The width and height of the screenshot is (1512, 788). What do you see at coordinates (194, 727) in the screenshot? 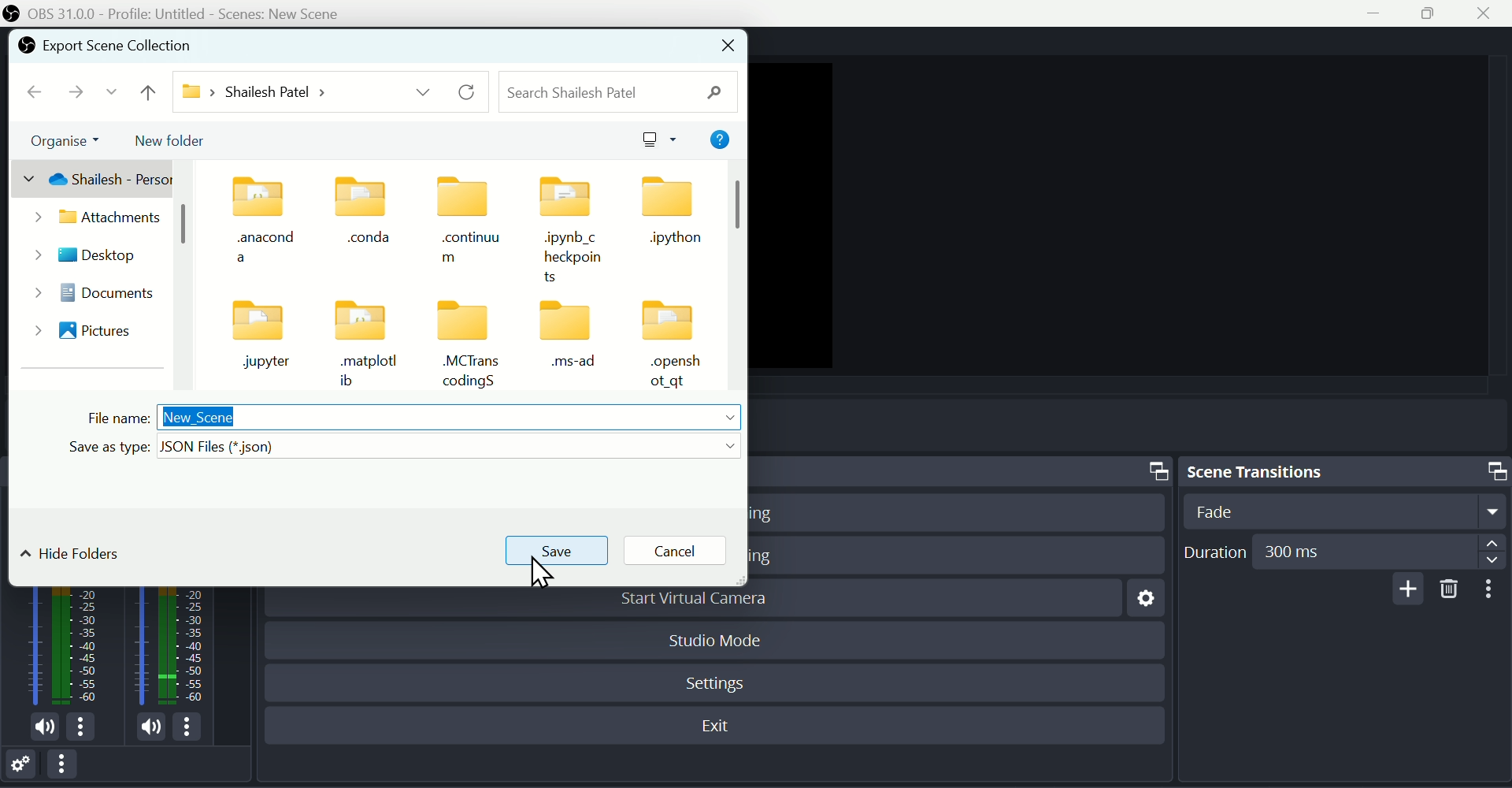
I see `more options` at bounding box center [194, 727].